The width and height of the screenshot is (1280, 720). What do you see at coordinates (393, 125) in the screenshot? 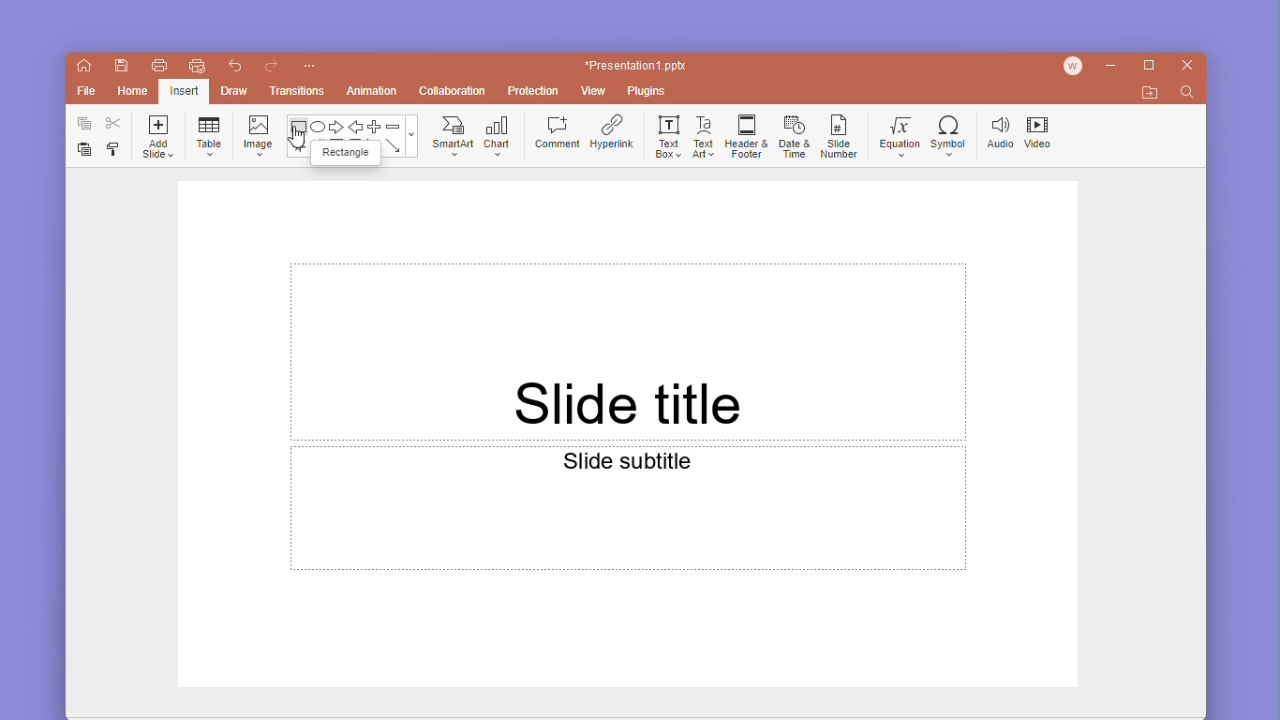
I see `minus` at bounding box center [393, 125].